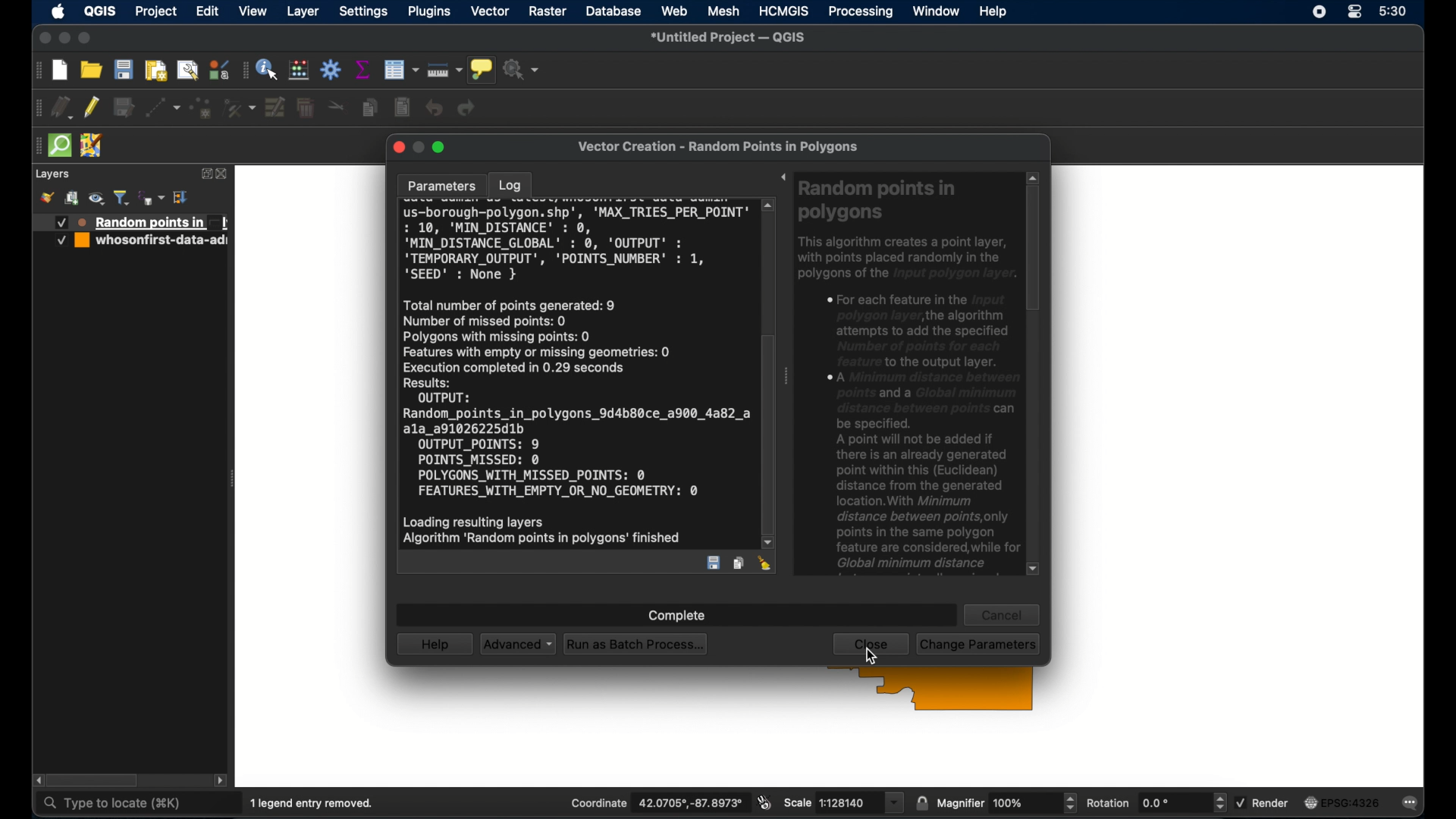 This screenshot has width=1456, height=819. Describe the element at coordinates (1003, 645) in the screenshot. I see `run` at that location.